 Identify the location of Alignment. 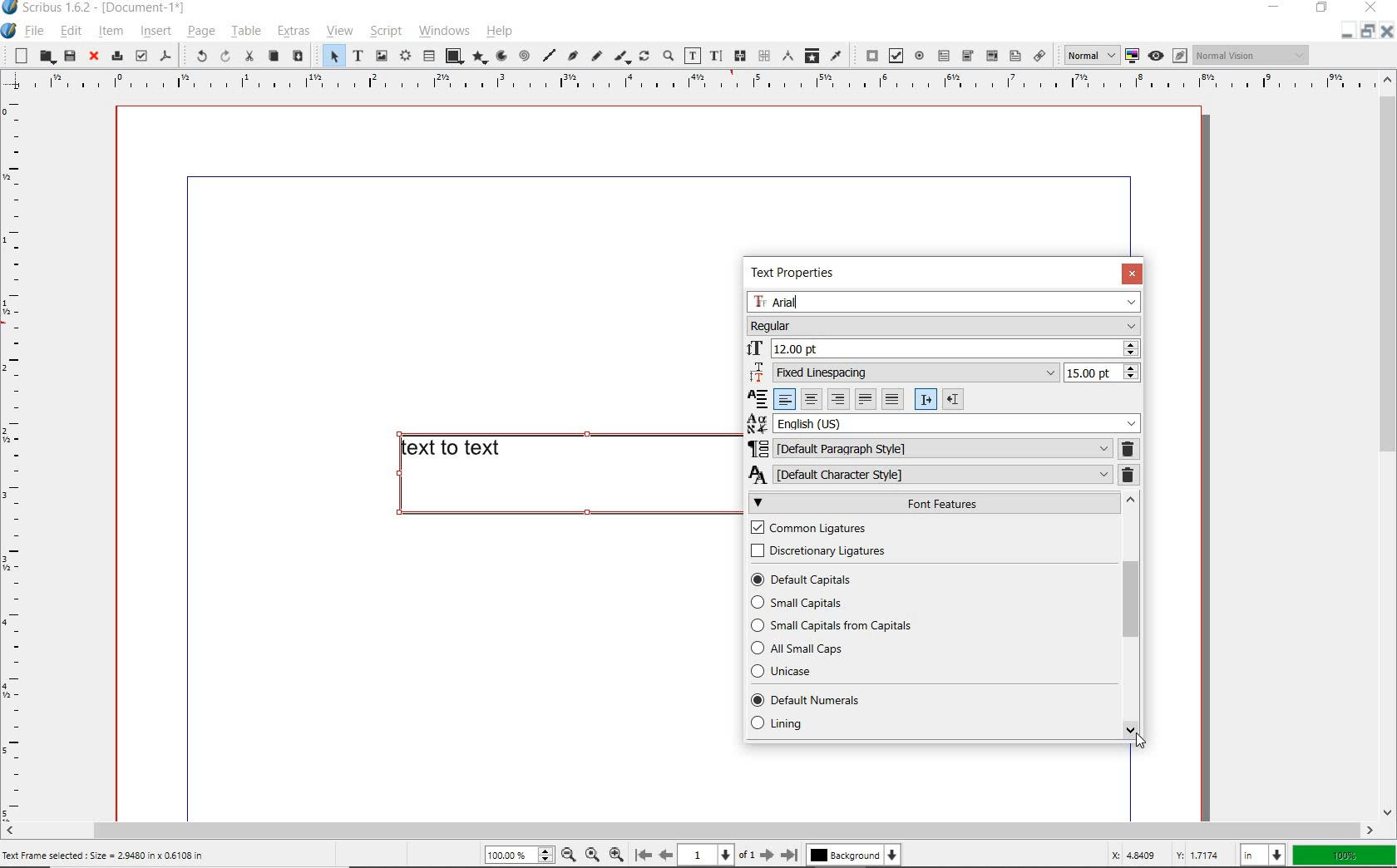
(760, 400).